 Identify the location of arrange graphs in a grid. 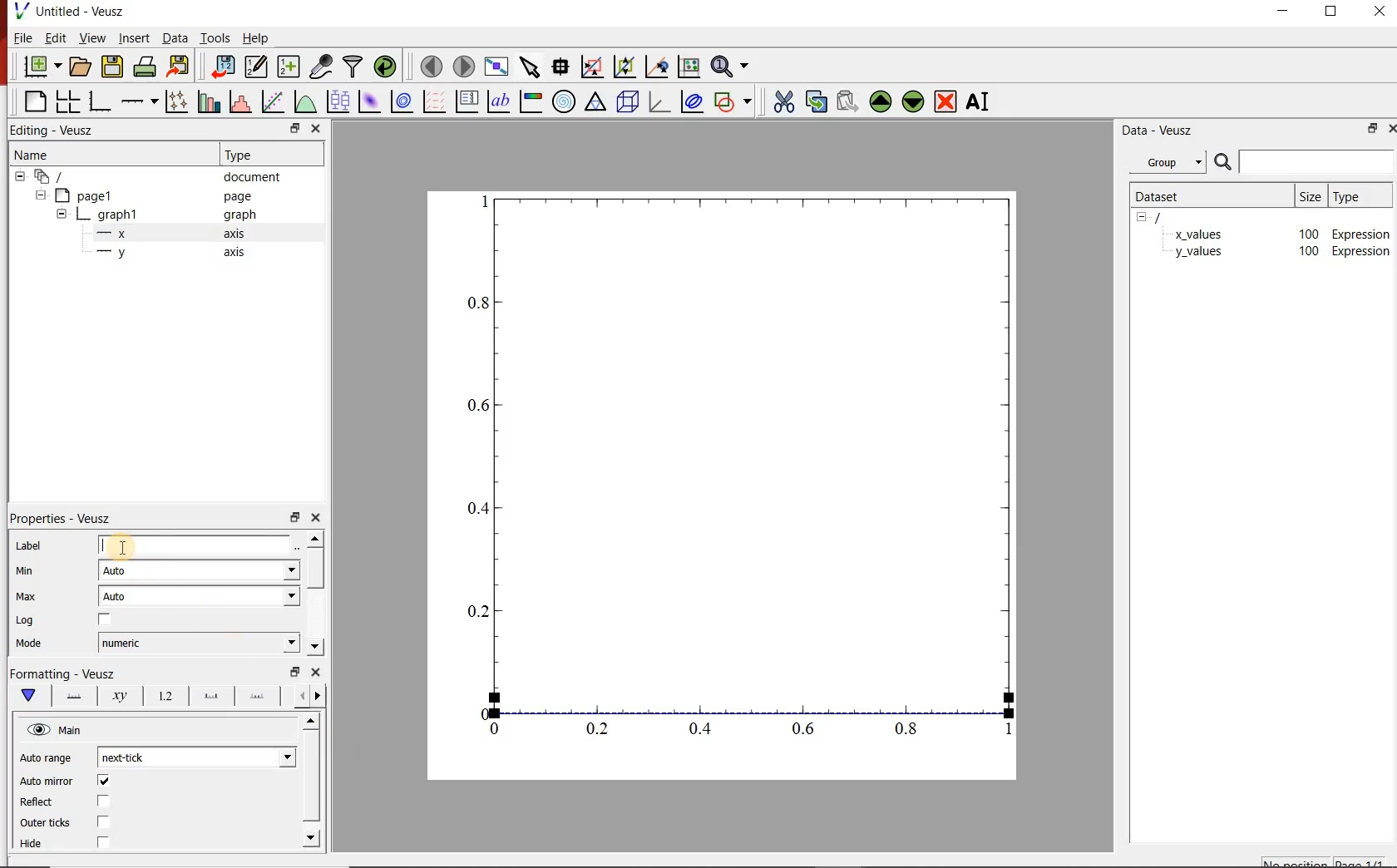
(67, 102).